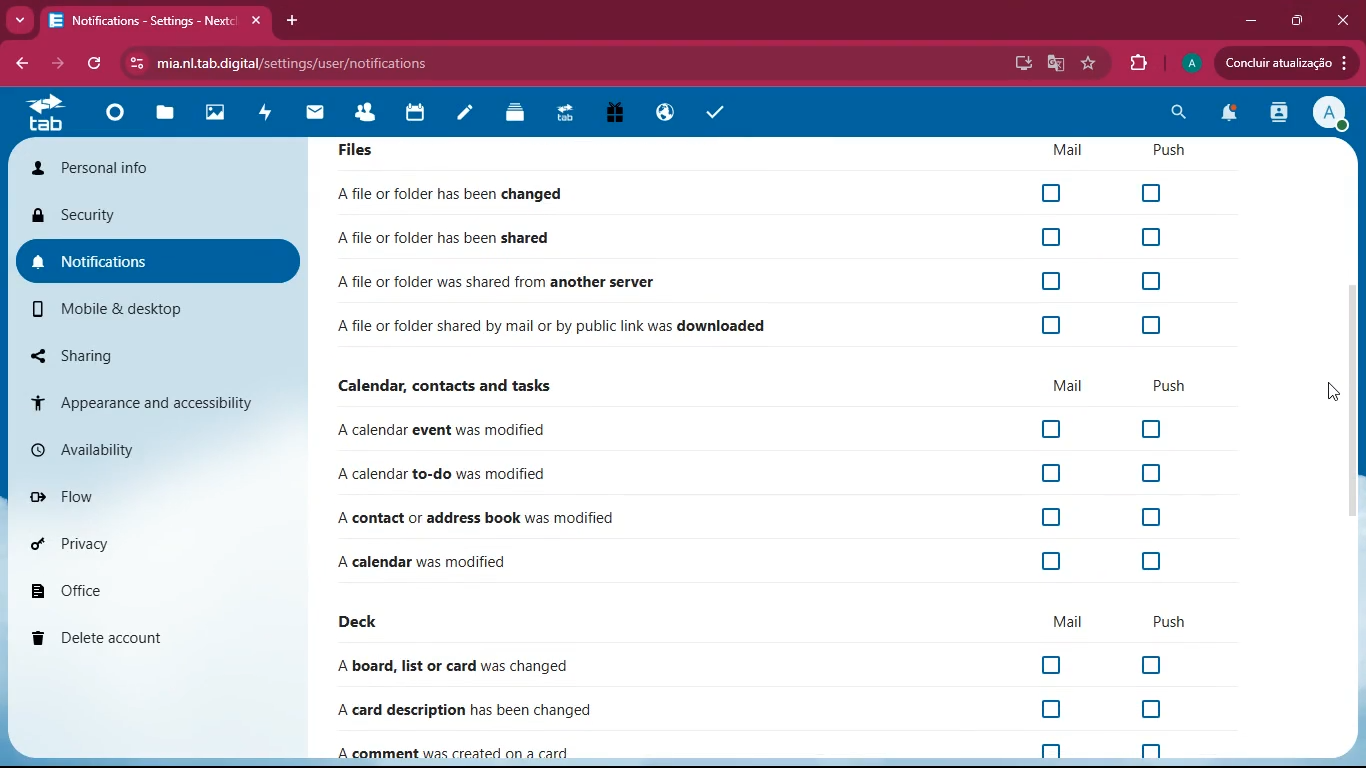 The image size is (1366, 768). I want to click on gift, so click(621, 114).